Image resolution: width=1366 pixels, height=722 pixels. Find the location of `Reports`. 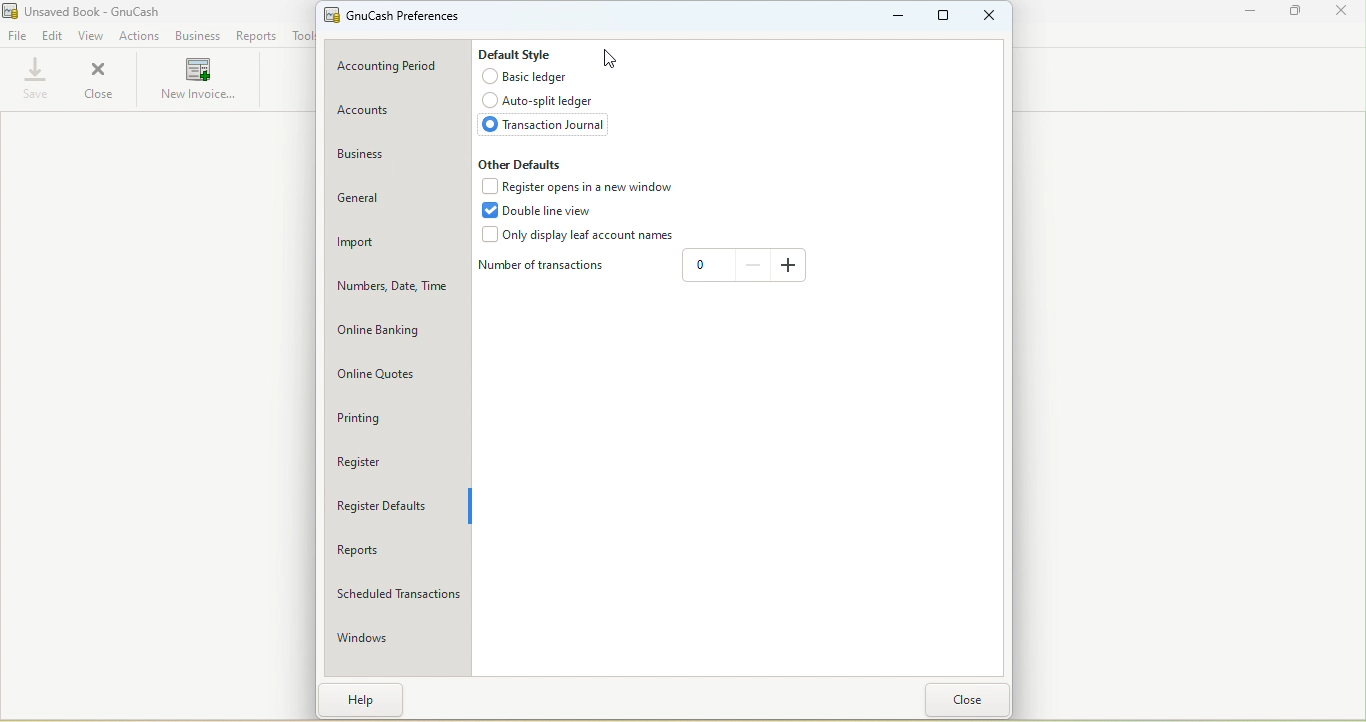

Reports is located at coordinates (256, 36).